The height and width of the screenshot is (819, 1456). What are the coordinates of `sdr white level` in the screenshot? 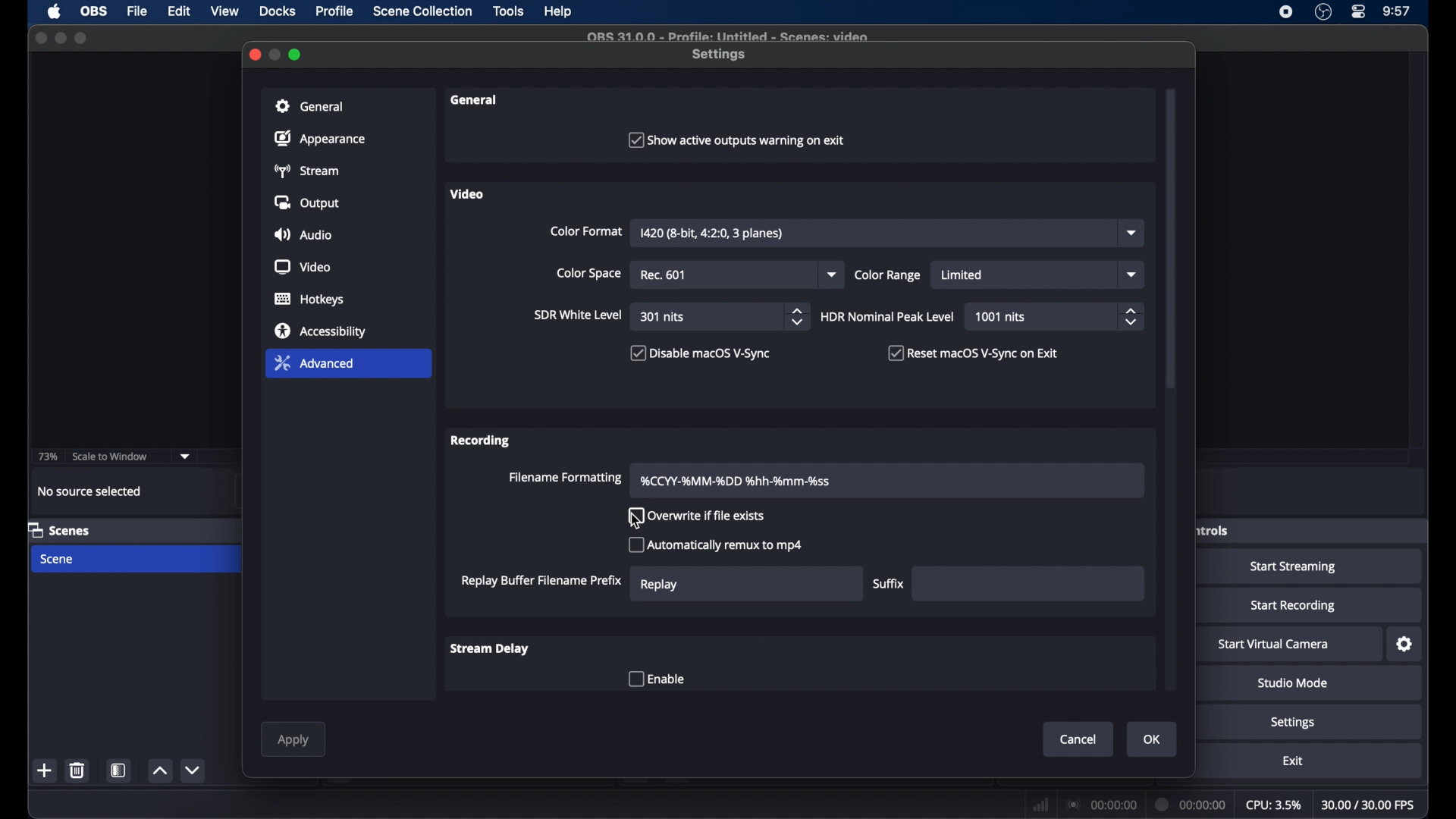 It's located at (579, 314).